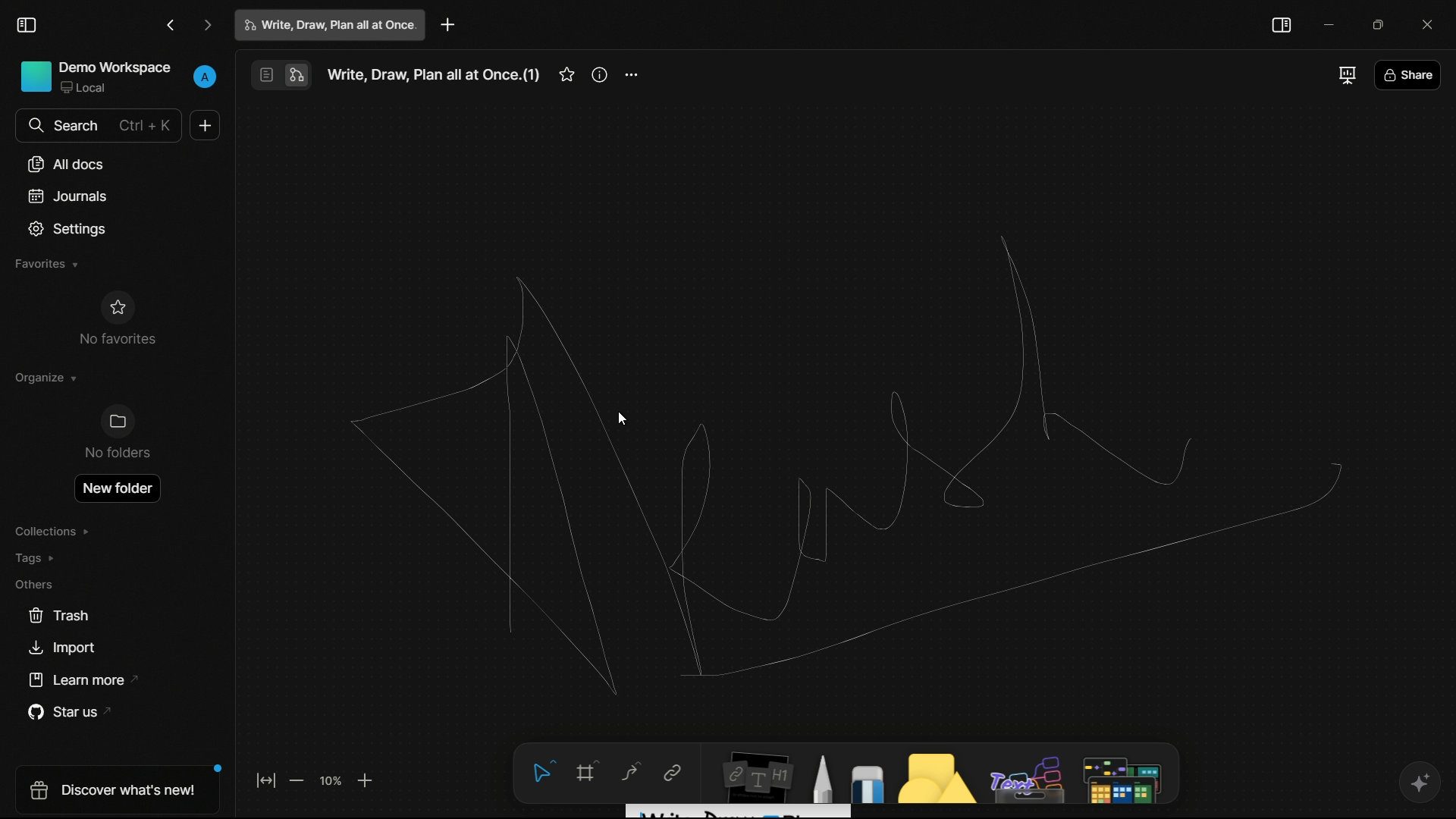  What do you see at coordinates (33, 585) in the screenshot?
I see `others` at bounding box center [33, 585].